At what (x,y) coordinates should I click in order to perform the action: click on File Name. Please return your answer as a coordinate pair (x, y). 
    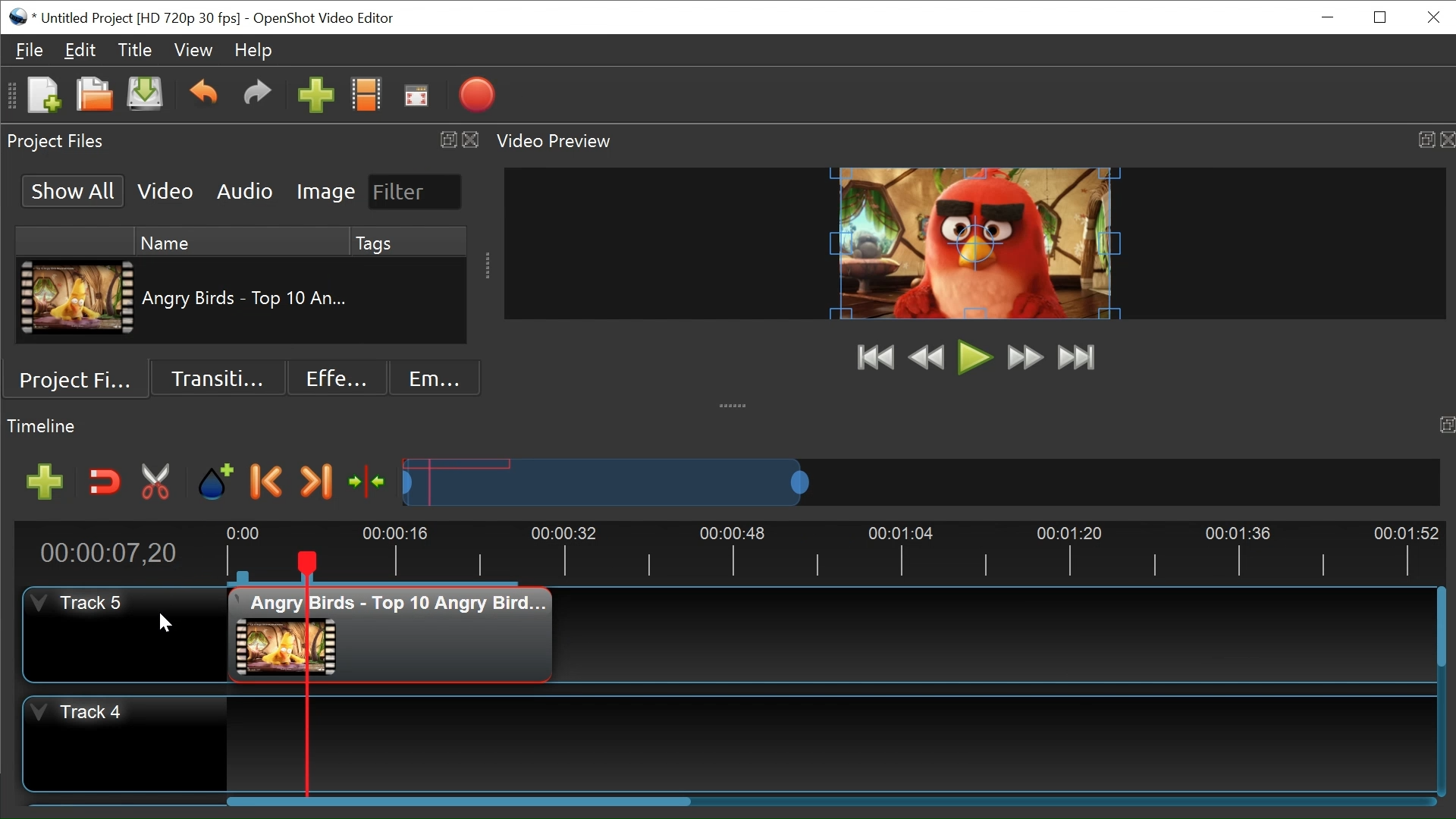
    Looking at the image, I should click on (142, 19).